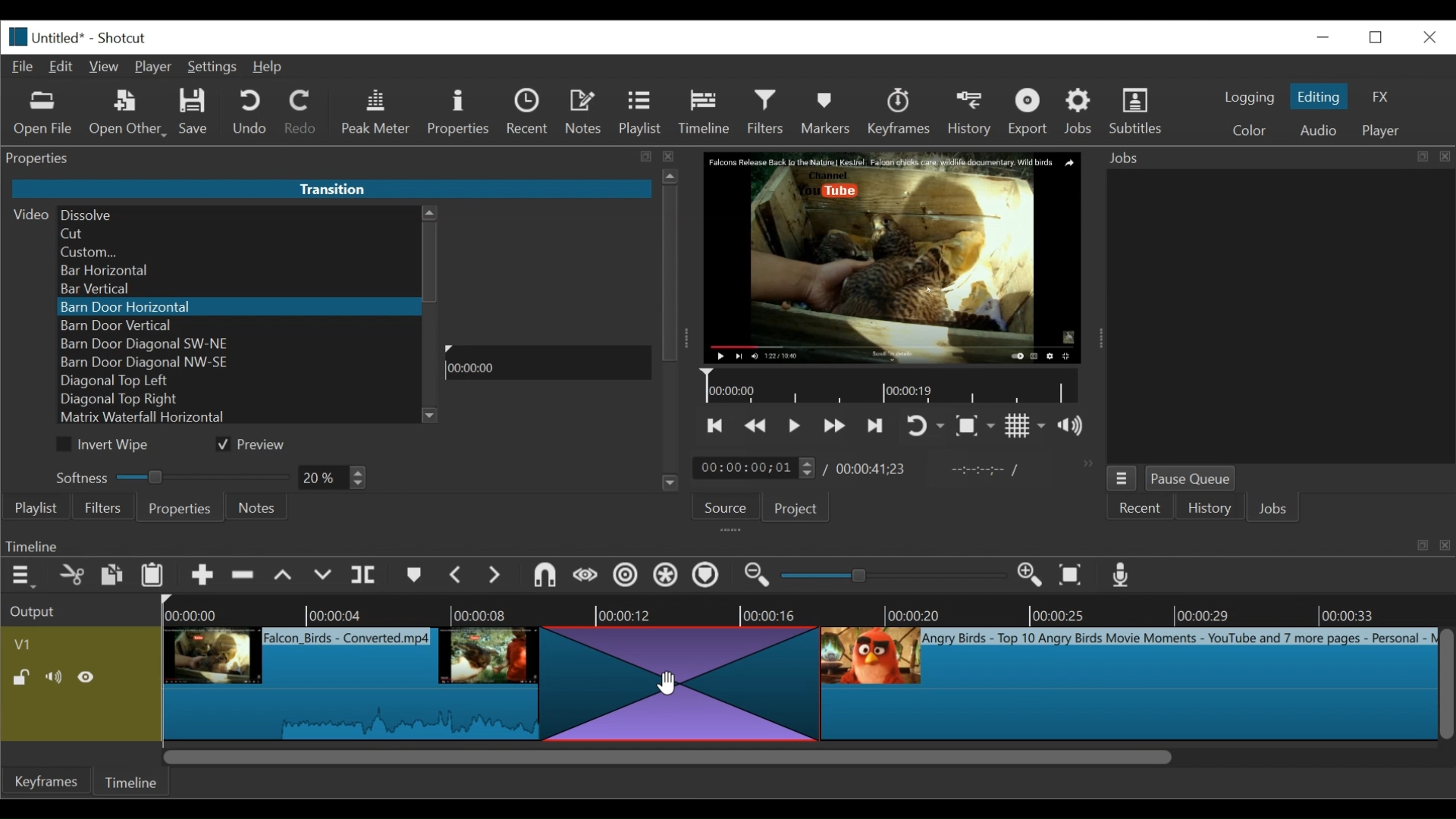 Image resolution: width=1456 pixels, height=819 pixels. I want to click on Save, so click(196, 112).